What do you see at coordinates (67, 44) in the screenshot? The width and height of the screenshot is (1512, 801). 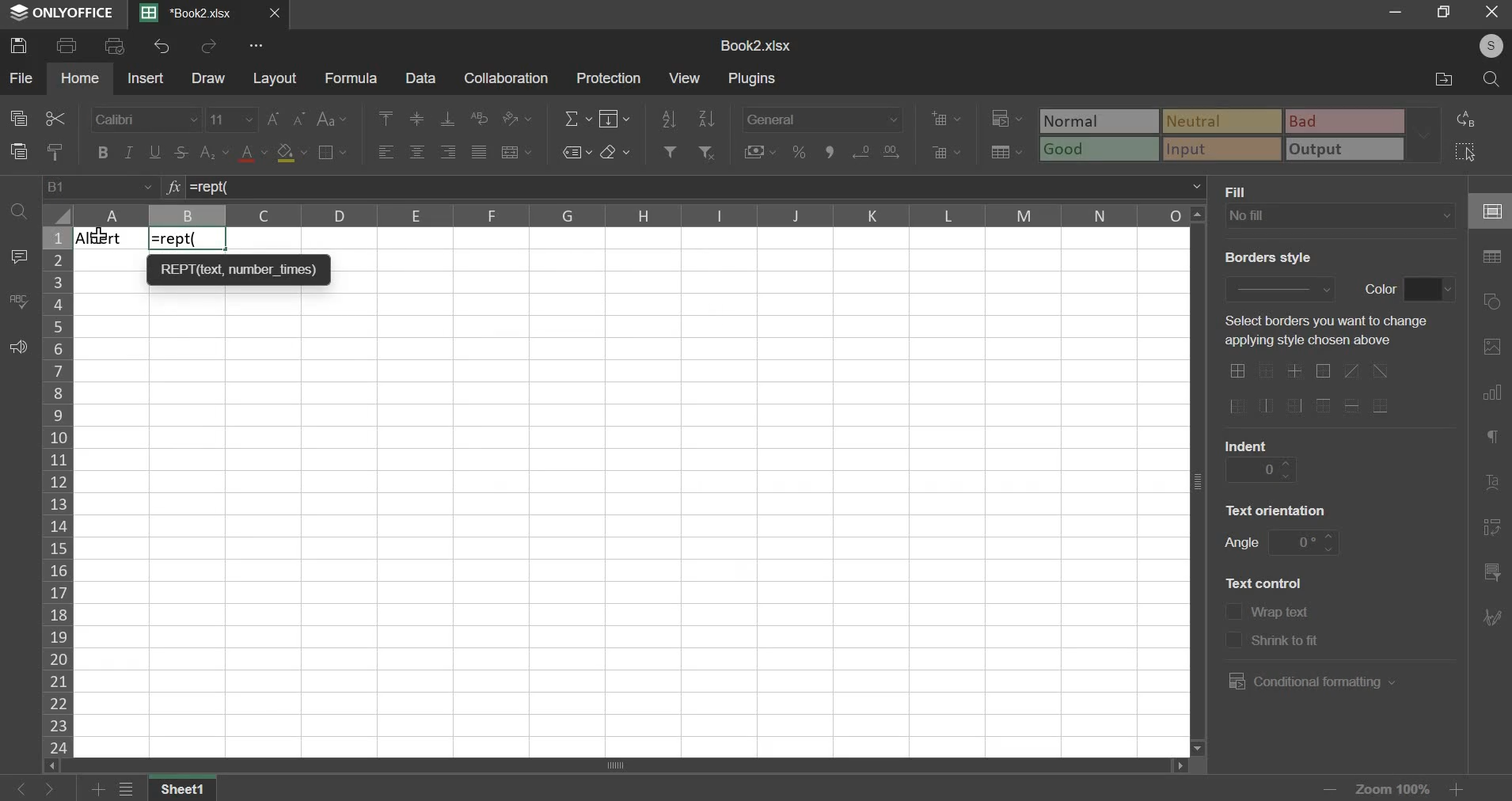 I see `print` at bounding box center [67, 44].